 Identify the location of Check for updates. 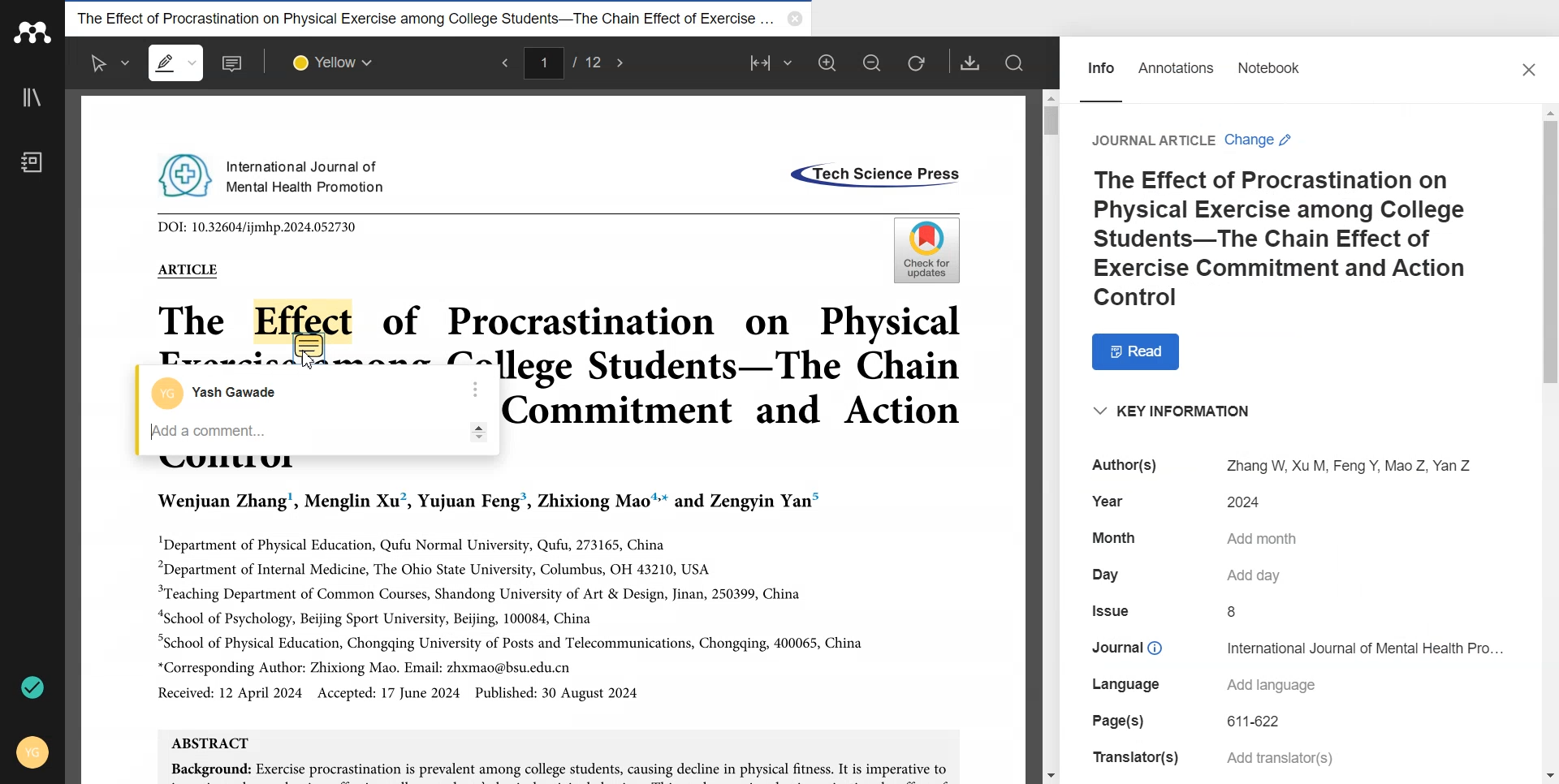
(924, 250).